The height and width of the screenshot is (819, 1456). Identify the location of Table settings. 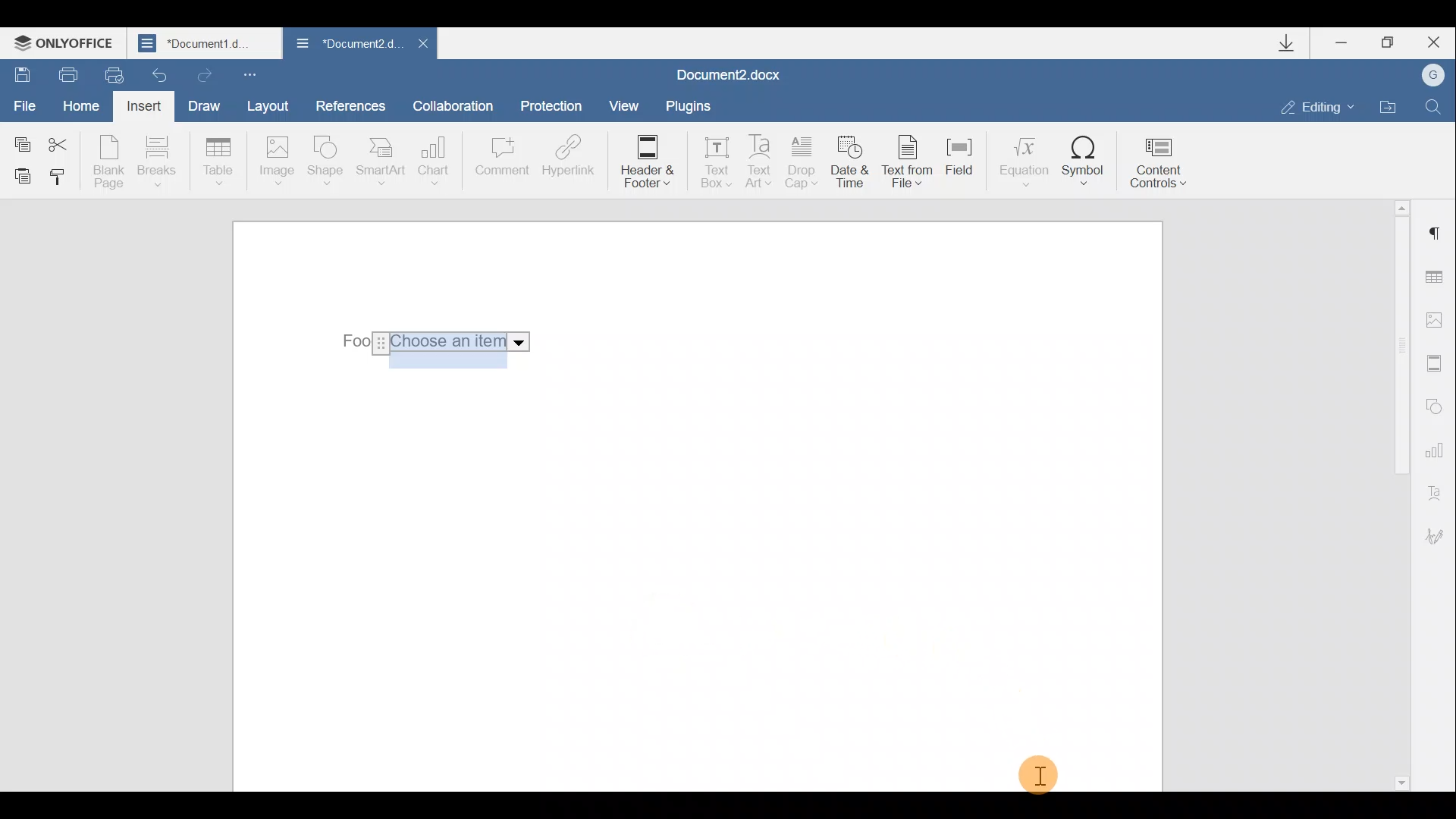
(1439, 279).